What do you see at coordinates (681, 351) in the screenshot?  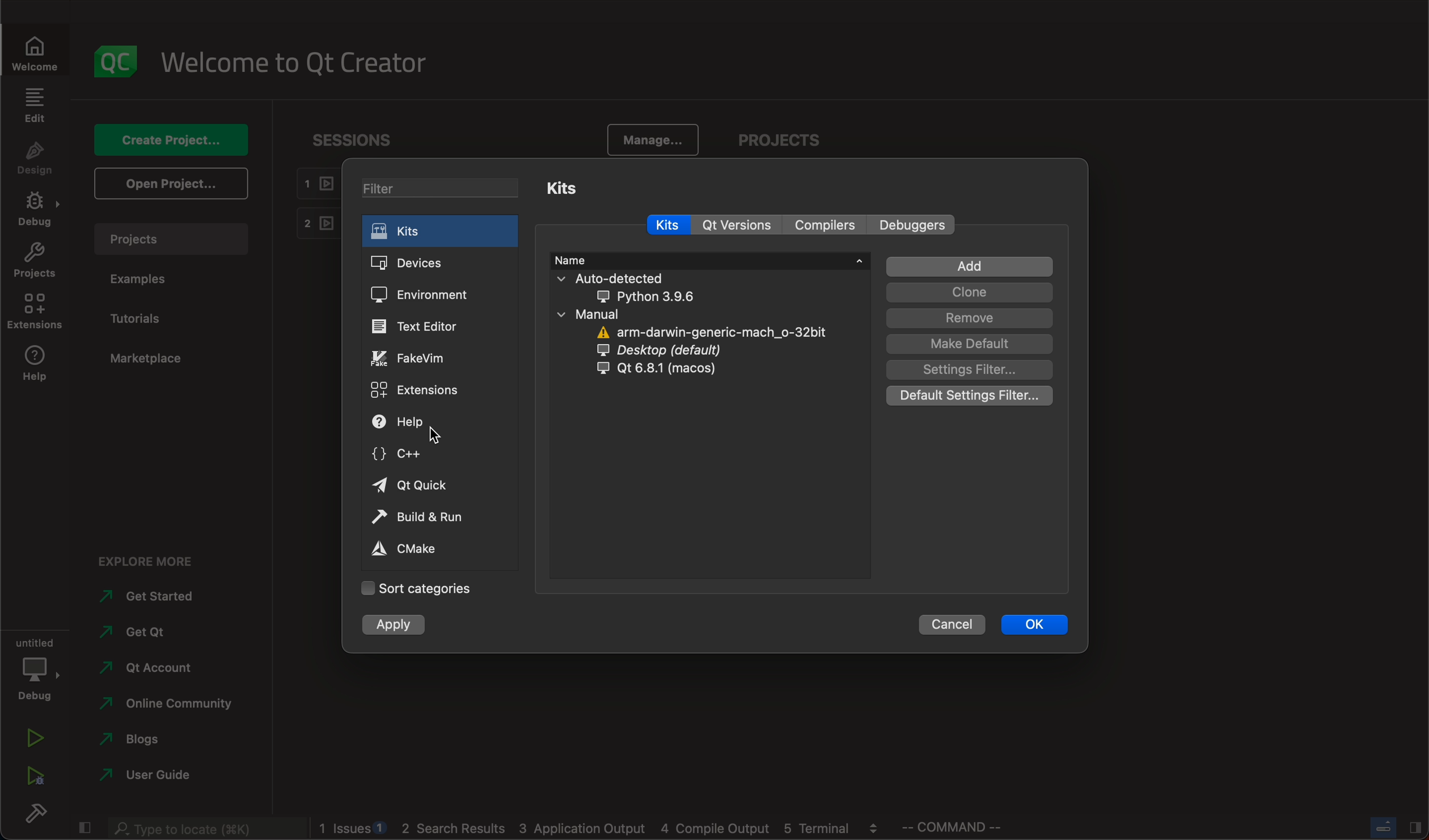 I see `desktop` at bounding box center [681, 351].